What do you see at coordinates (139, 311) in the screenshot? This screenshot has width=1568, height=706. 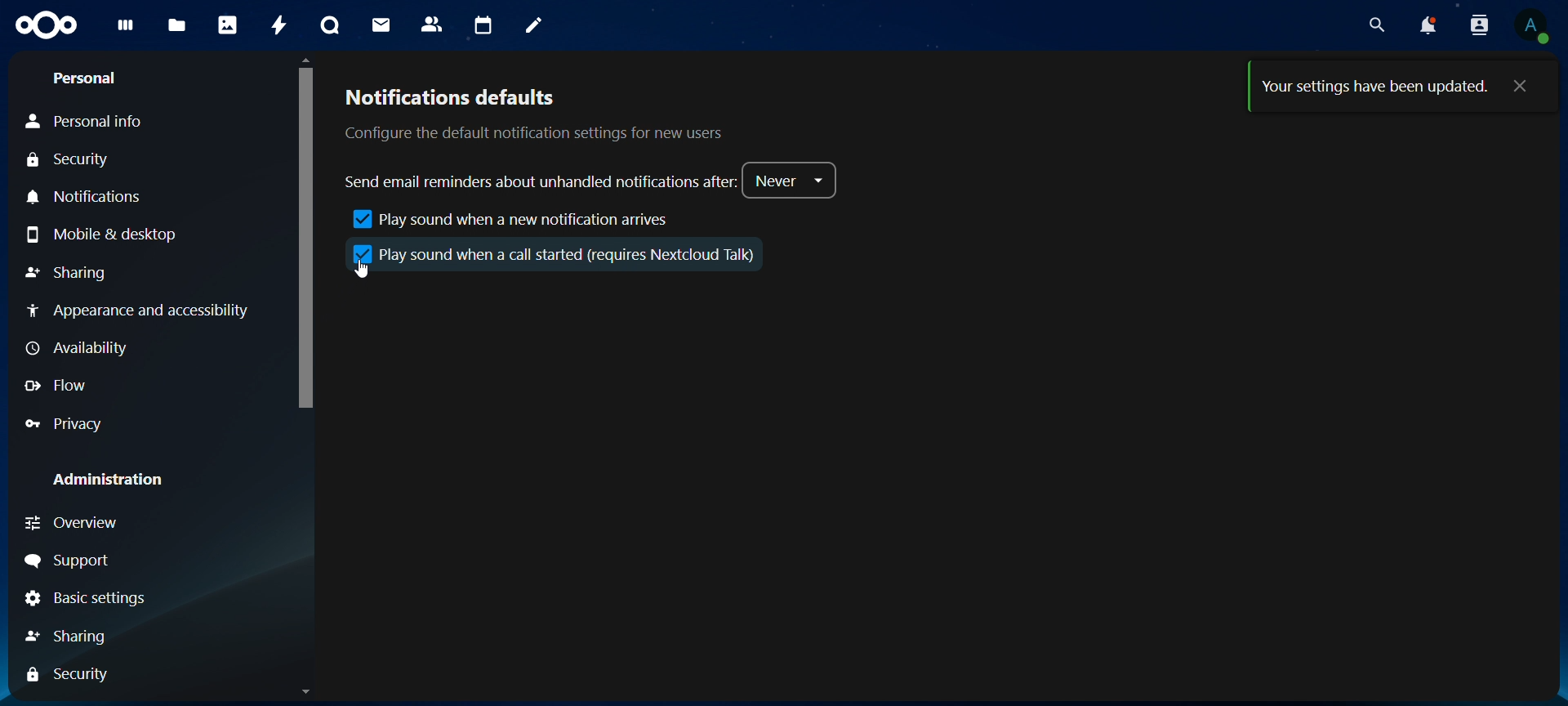 I see `Appearance & accessibility` at bounding box center [139, 311].